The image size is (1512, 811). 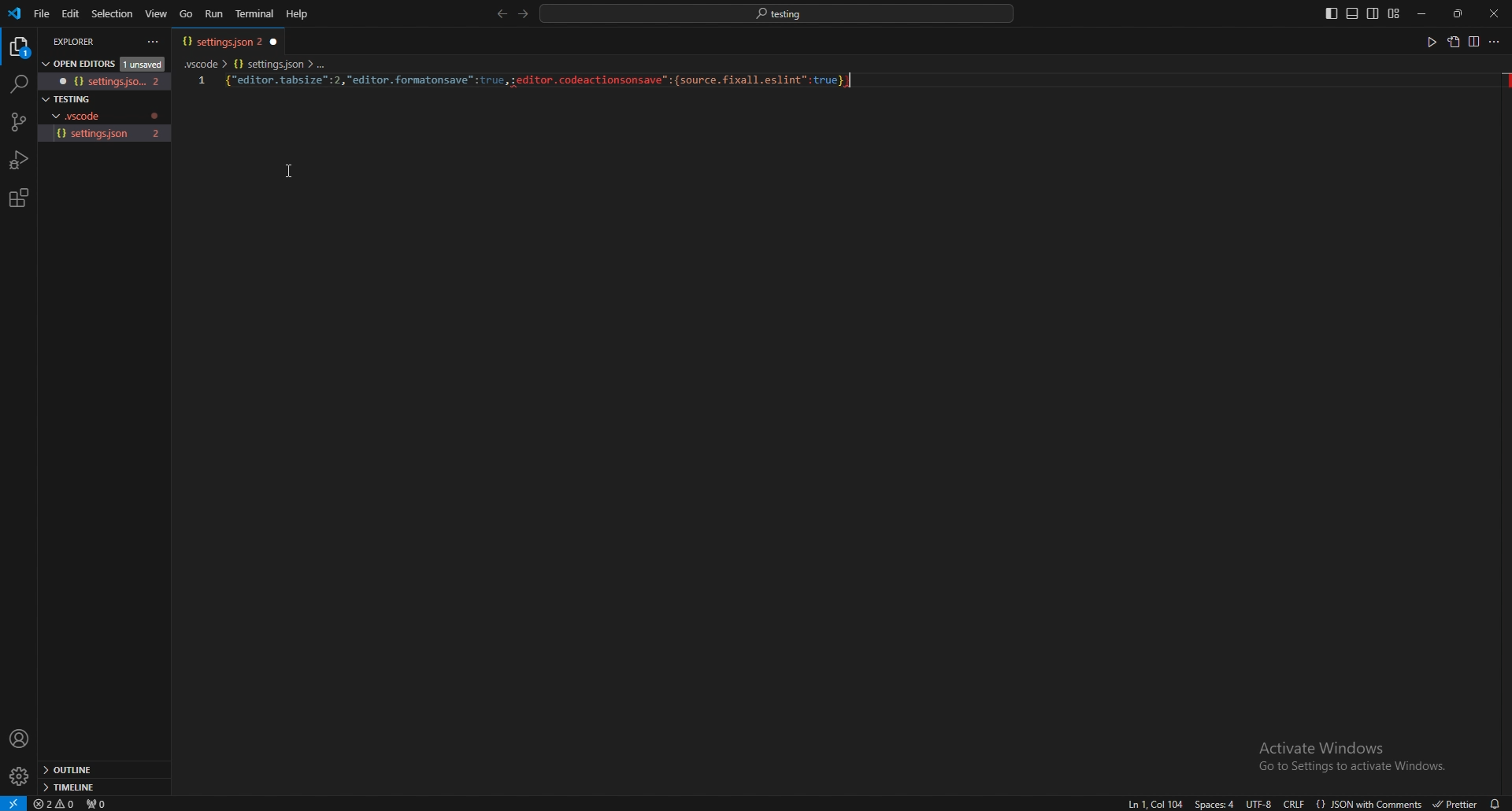 I want to click on run, so click(x=216, y=13).